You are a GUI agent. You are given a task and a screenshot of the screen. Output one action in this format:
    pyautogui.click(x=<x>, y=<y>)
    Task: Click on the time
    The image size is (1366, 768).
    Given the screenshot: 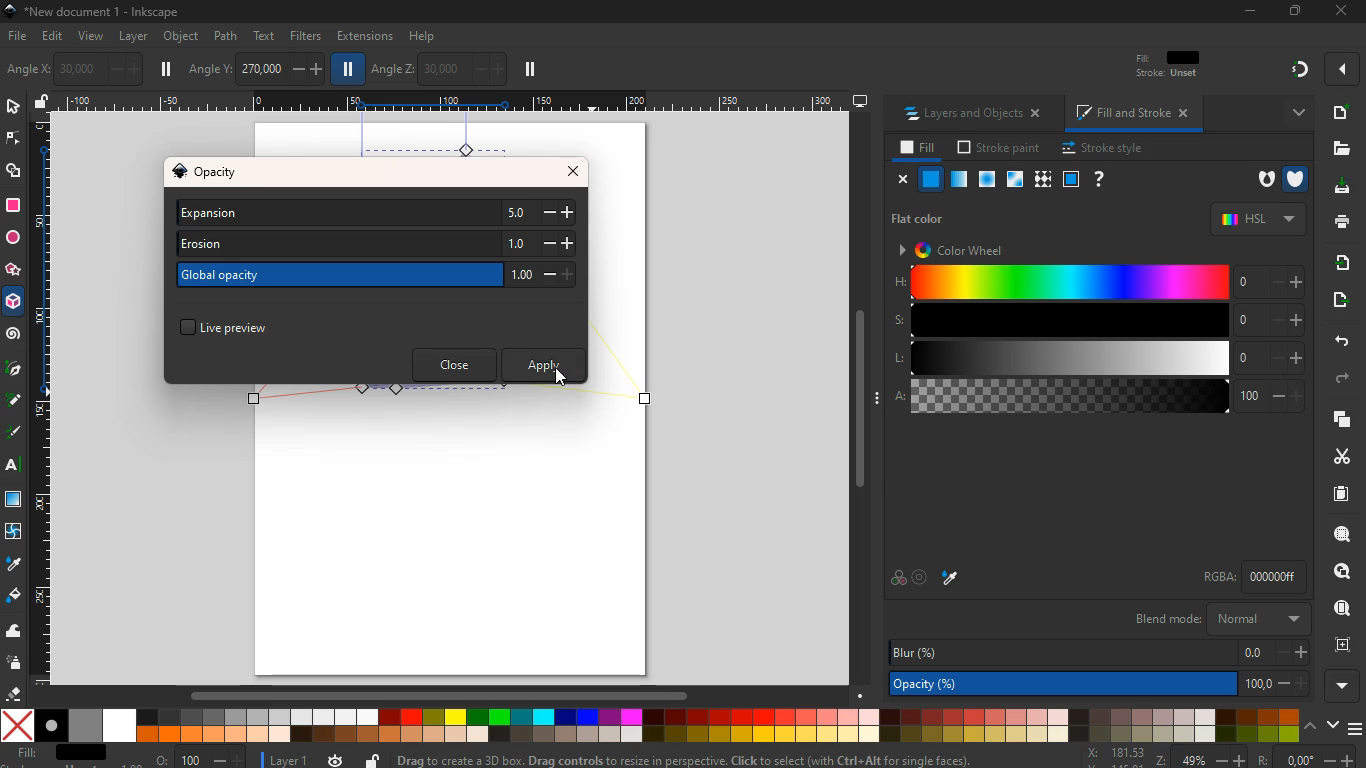 What is the action you would take?
    pyautogui.click(x=334, y=760)
    